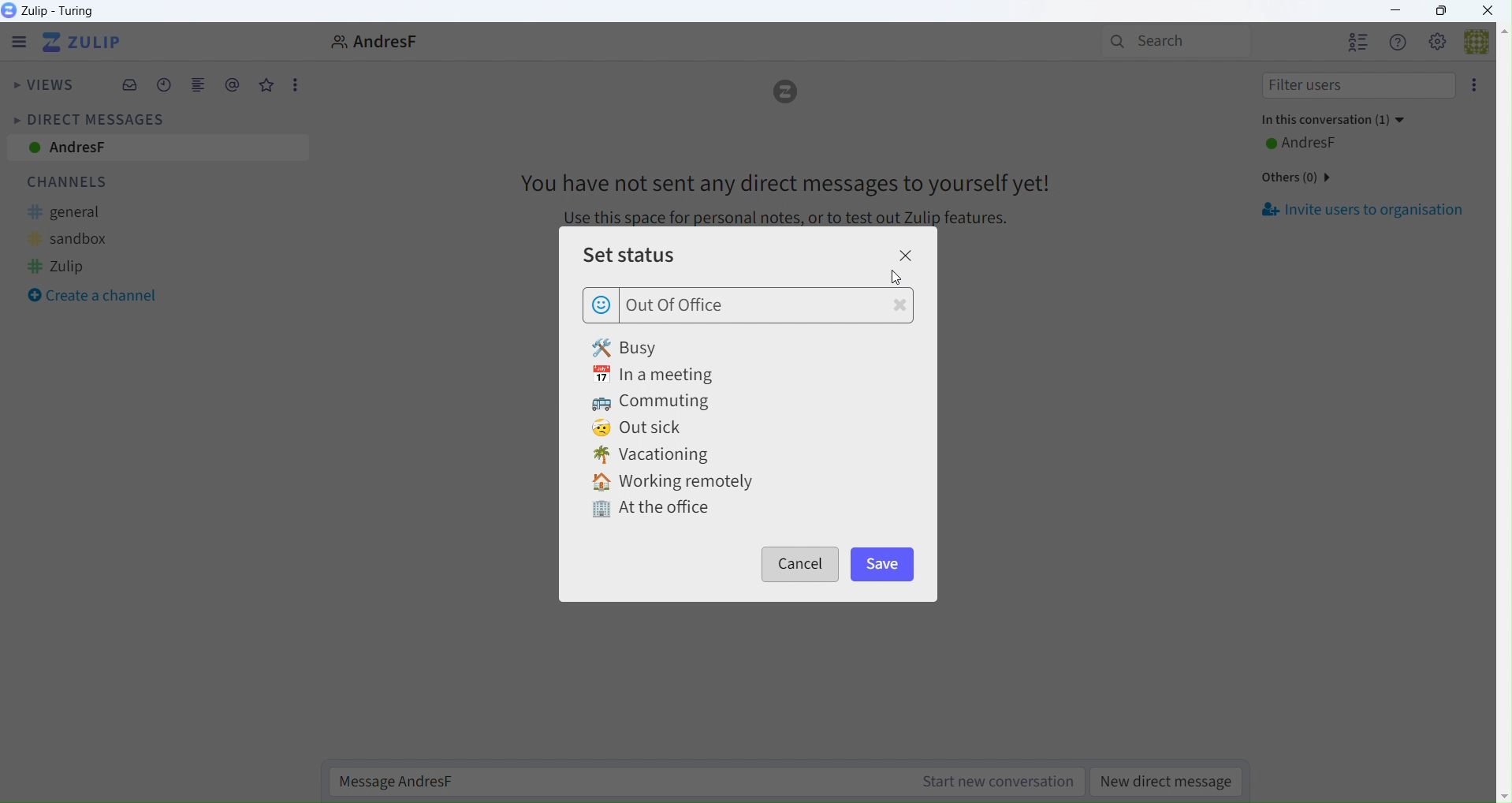 The width and height of the screenshot is (1512, 803). What do you see at coordinates (367, 41) in the screenshot?
I see `User` at bounding box center [367, 41].